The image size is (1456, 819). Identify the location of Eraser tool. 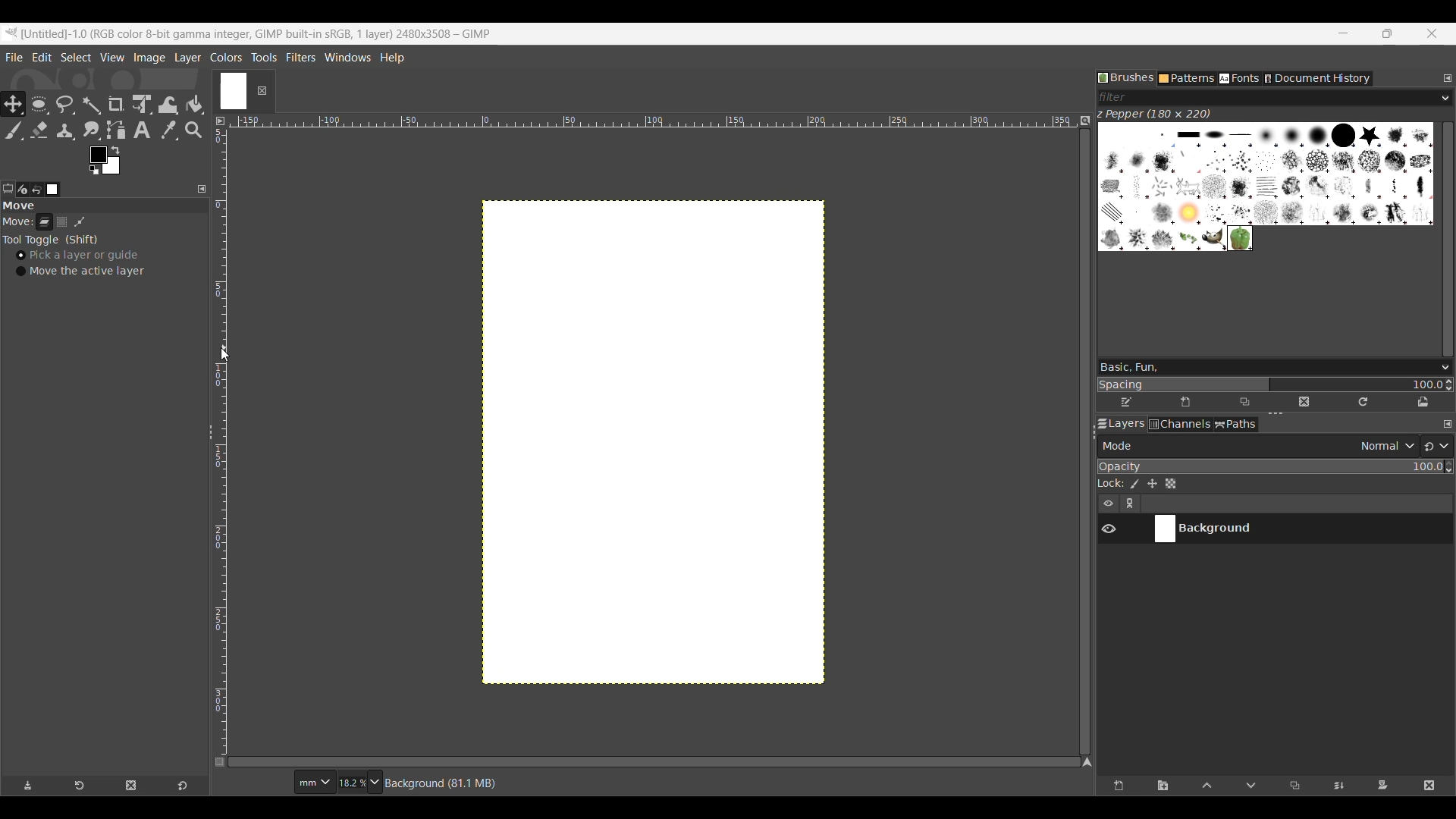
(38, 130).